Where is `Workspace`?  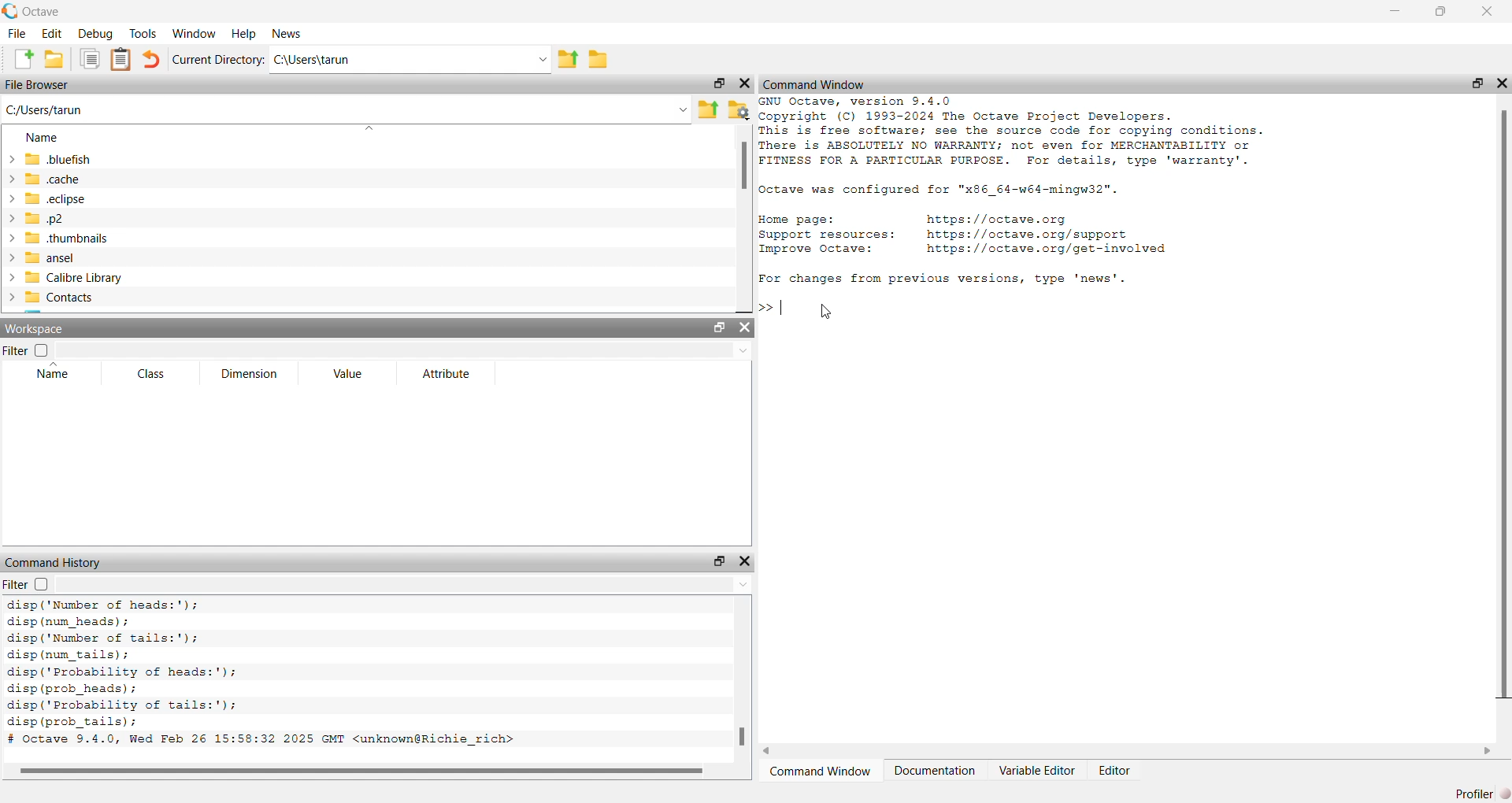
Workspace is located at coordinates (35, 329).